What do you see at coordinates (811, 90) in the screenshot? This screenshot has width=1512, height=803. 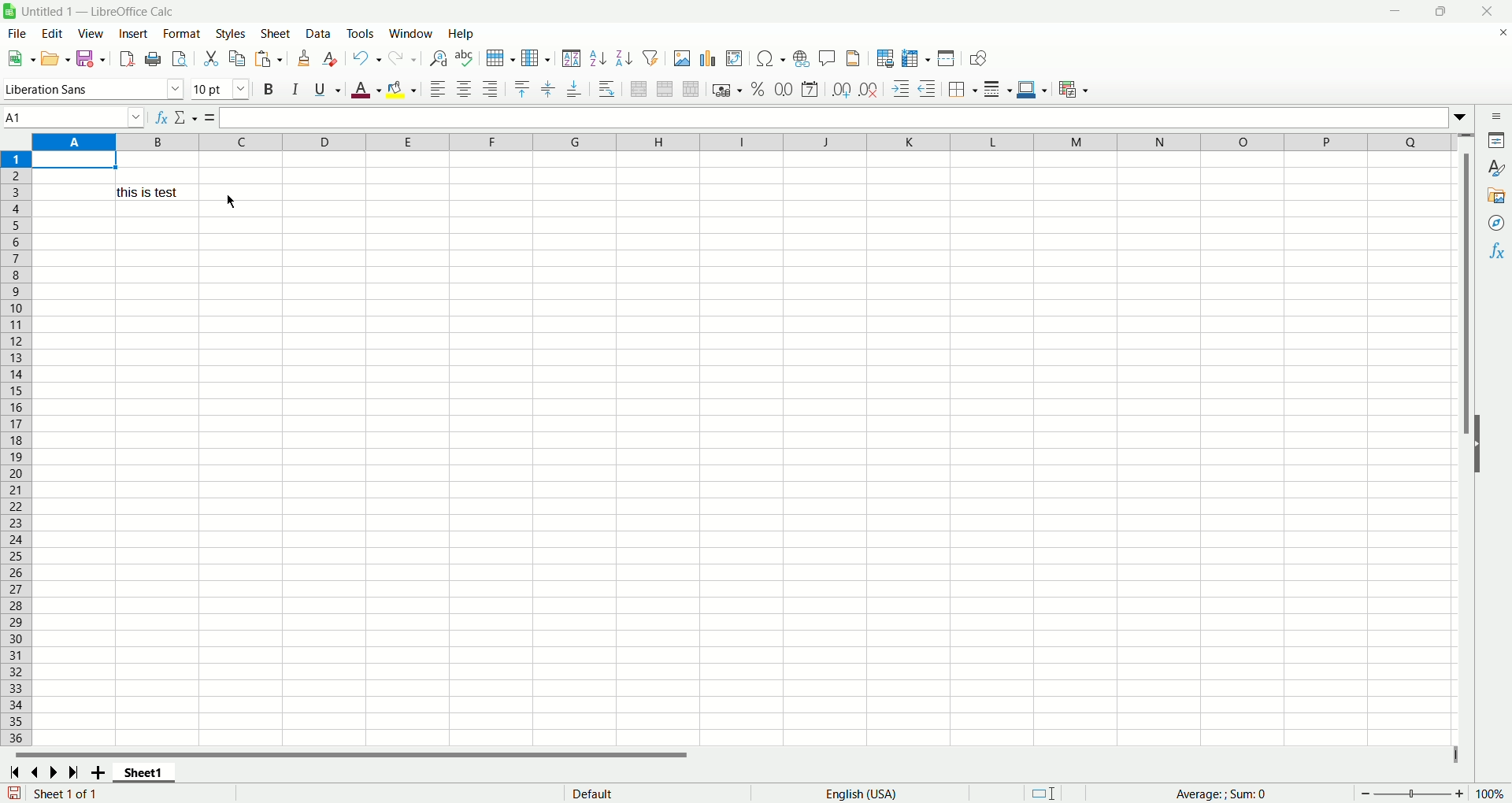 I see `format as date` at bounding box center [811, 90].